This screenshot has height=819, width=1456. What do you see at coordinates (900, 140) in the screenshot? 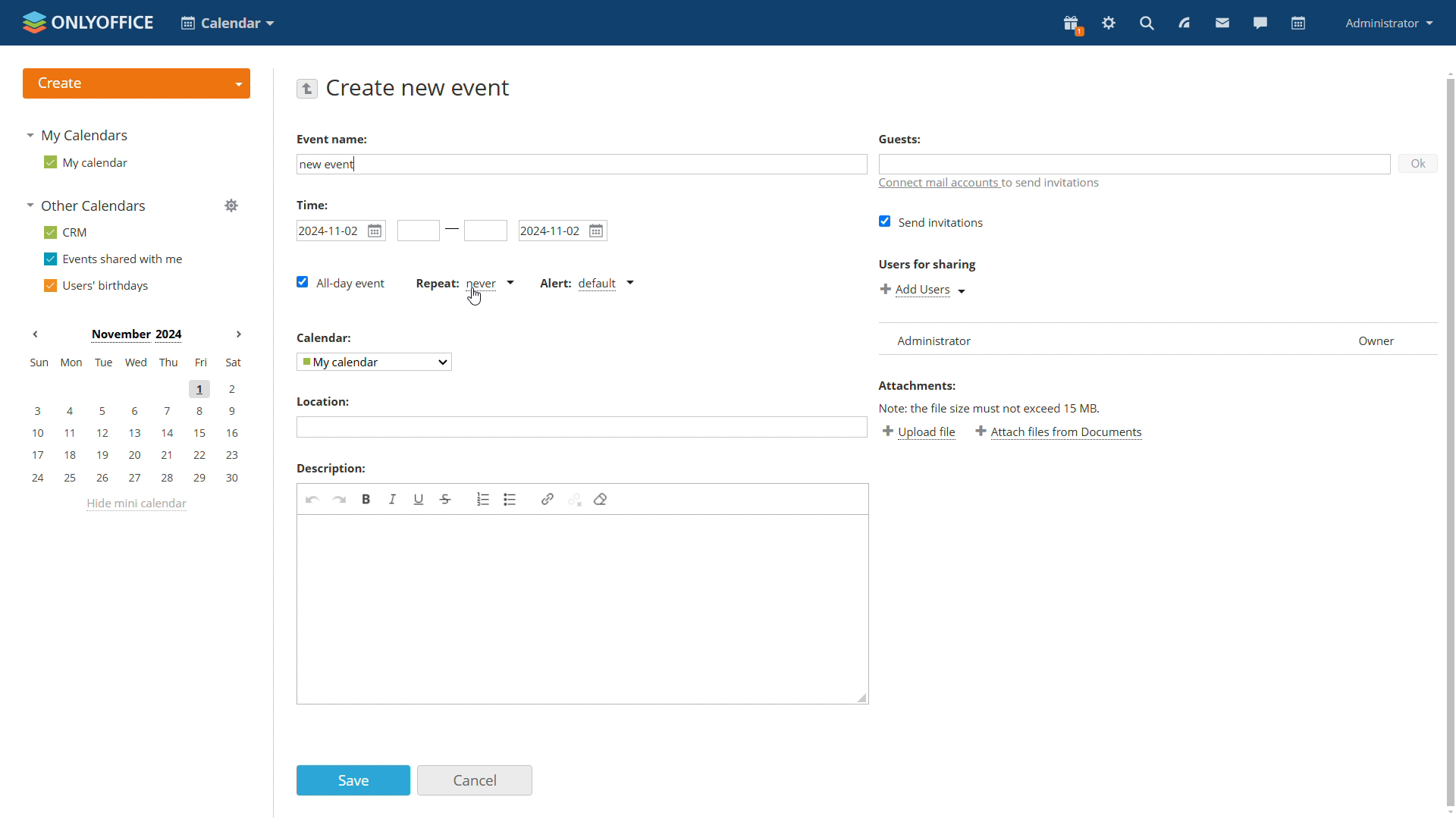
I see `Guests` at bounding box center [900, 140].